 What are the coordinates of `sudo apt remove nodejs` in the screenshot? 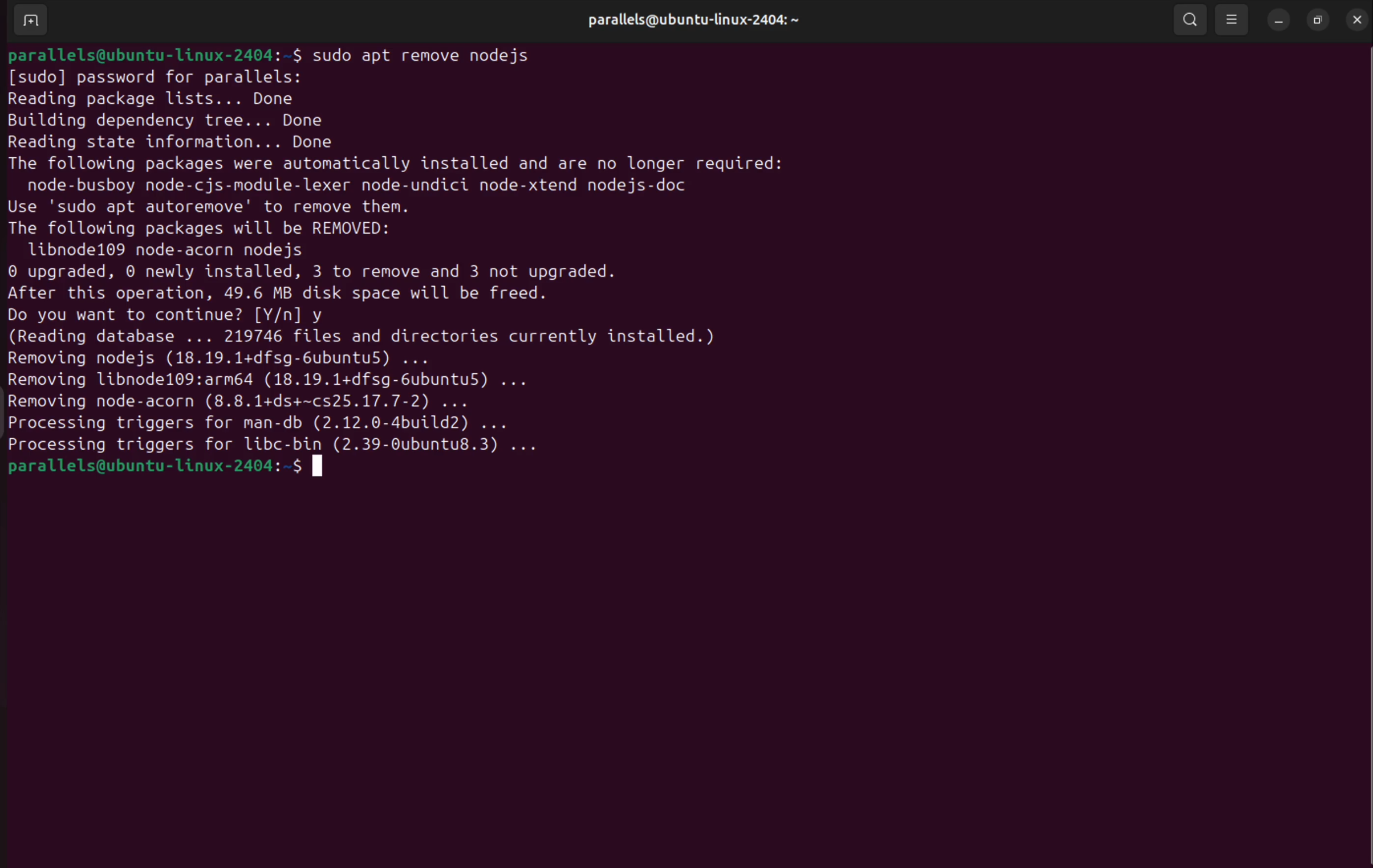 It's located at (439, 55).